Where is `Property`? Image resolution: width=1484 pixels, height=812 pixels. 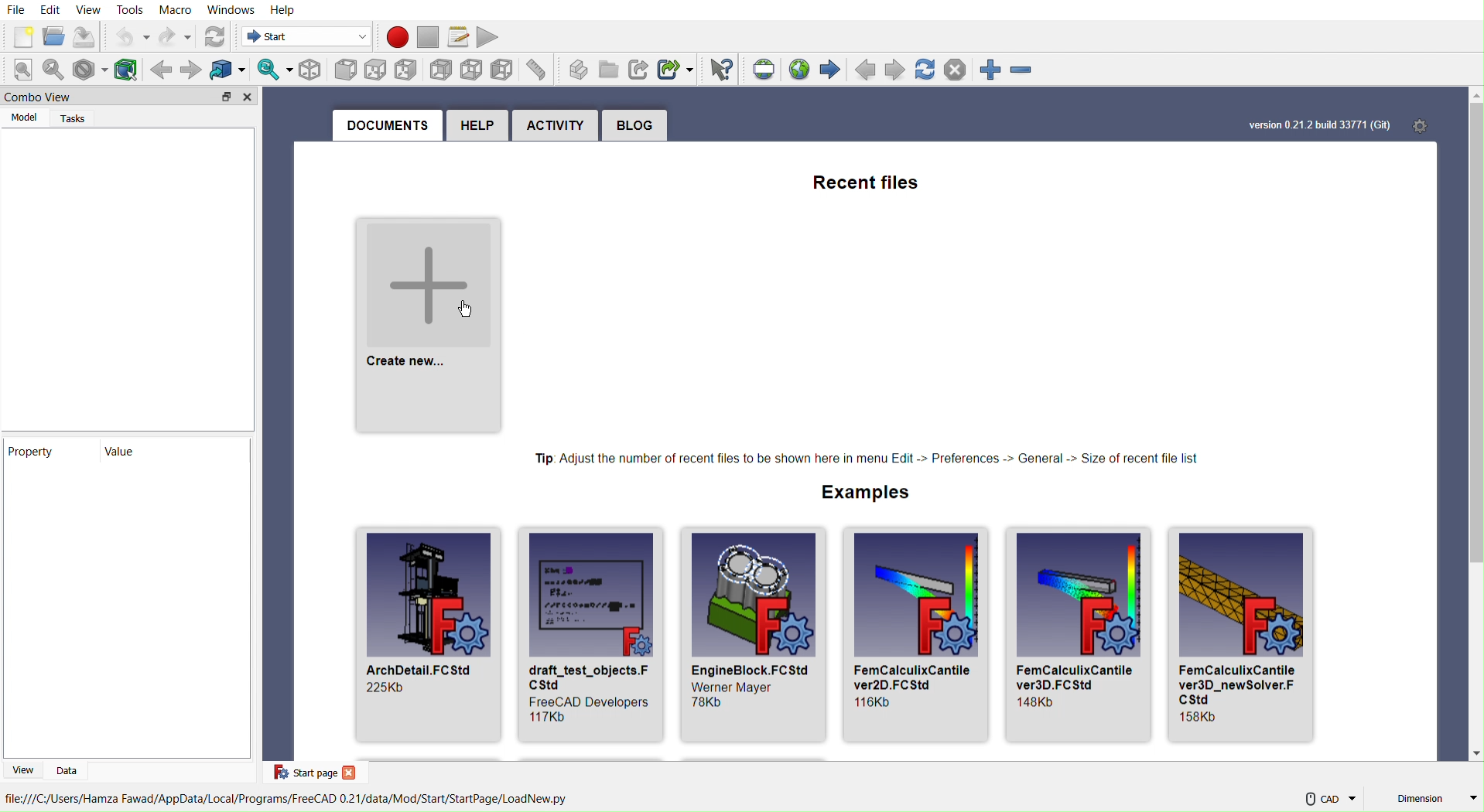 Property is located at coordinates (126, 619).